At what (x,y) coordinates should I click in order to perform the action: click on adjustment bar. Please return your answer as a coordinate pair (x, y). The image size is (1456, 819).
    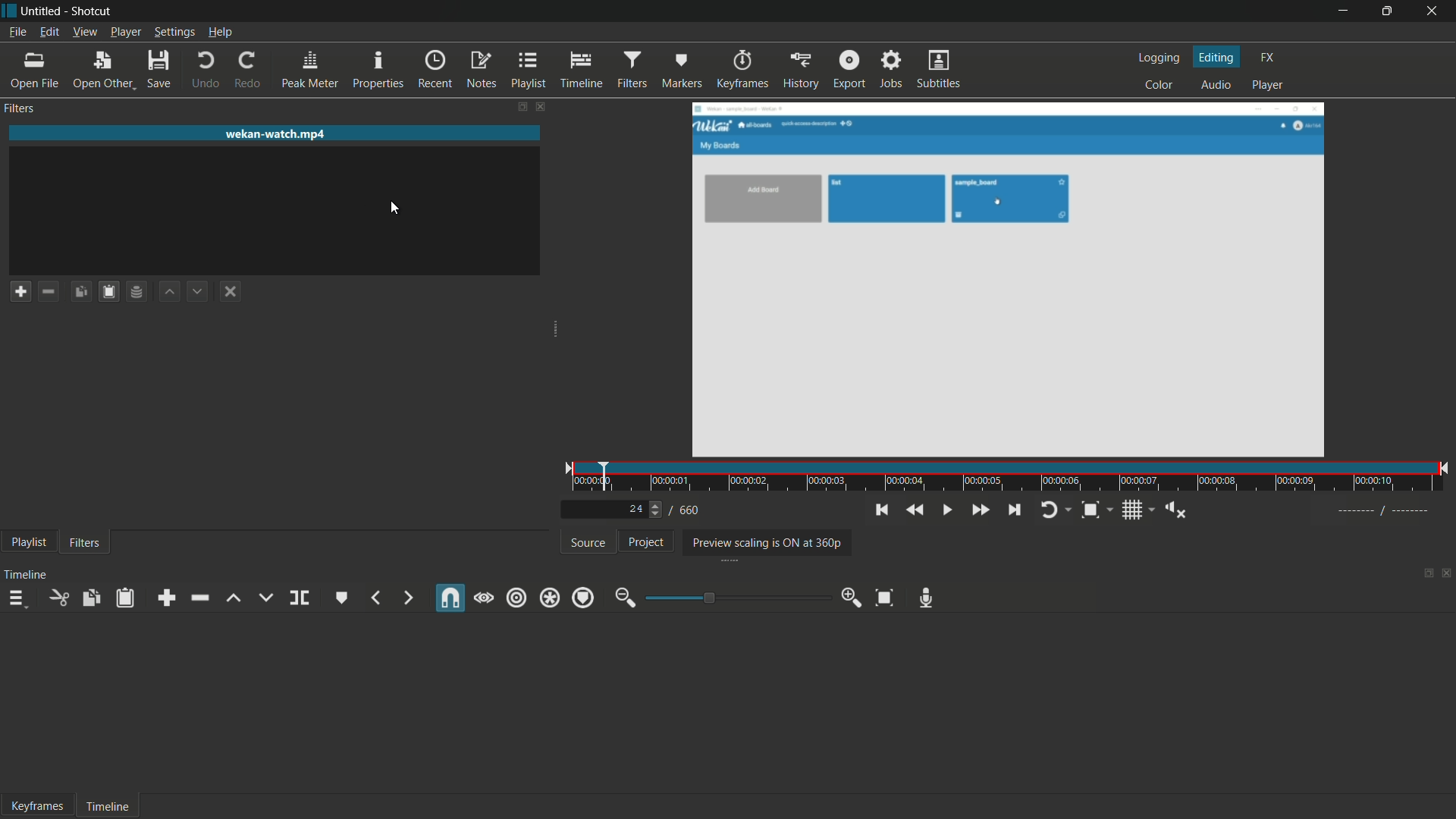
    Looking at the image, I should click on (736, 598).